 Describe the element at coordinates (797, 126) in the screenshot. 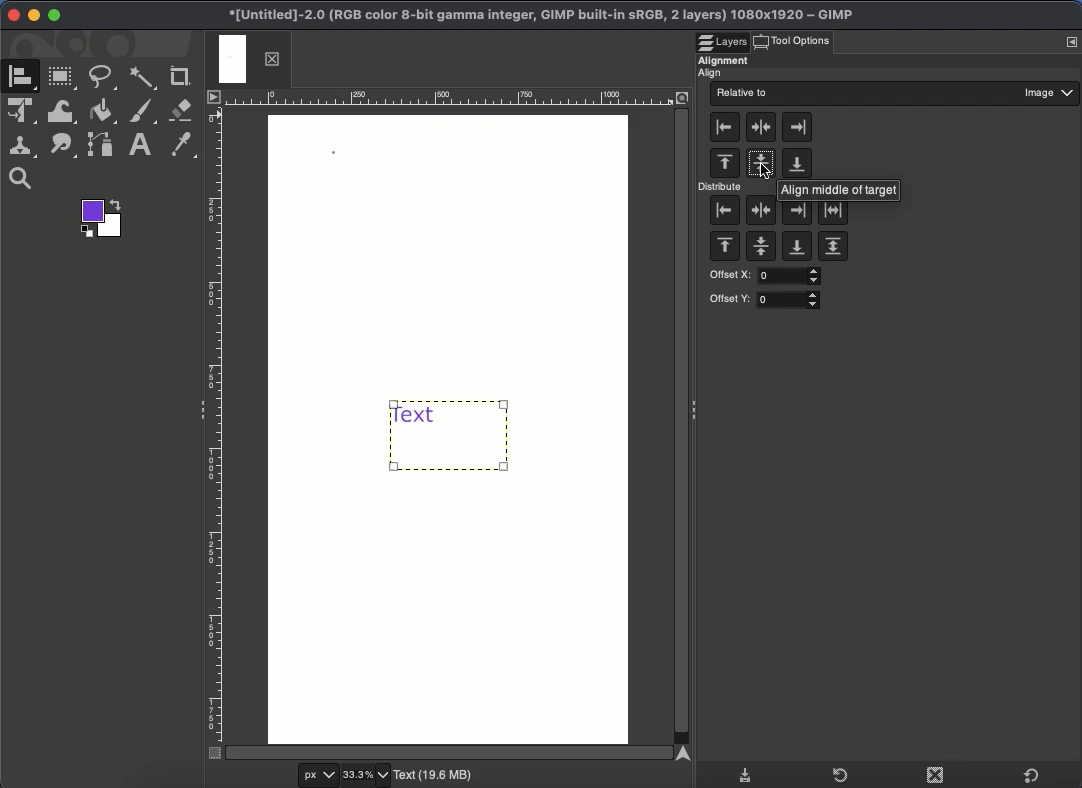

I see `Align to the right` at that location.